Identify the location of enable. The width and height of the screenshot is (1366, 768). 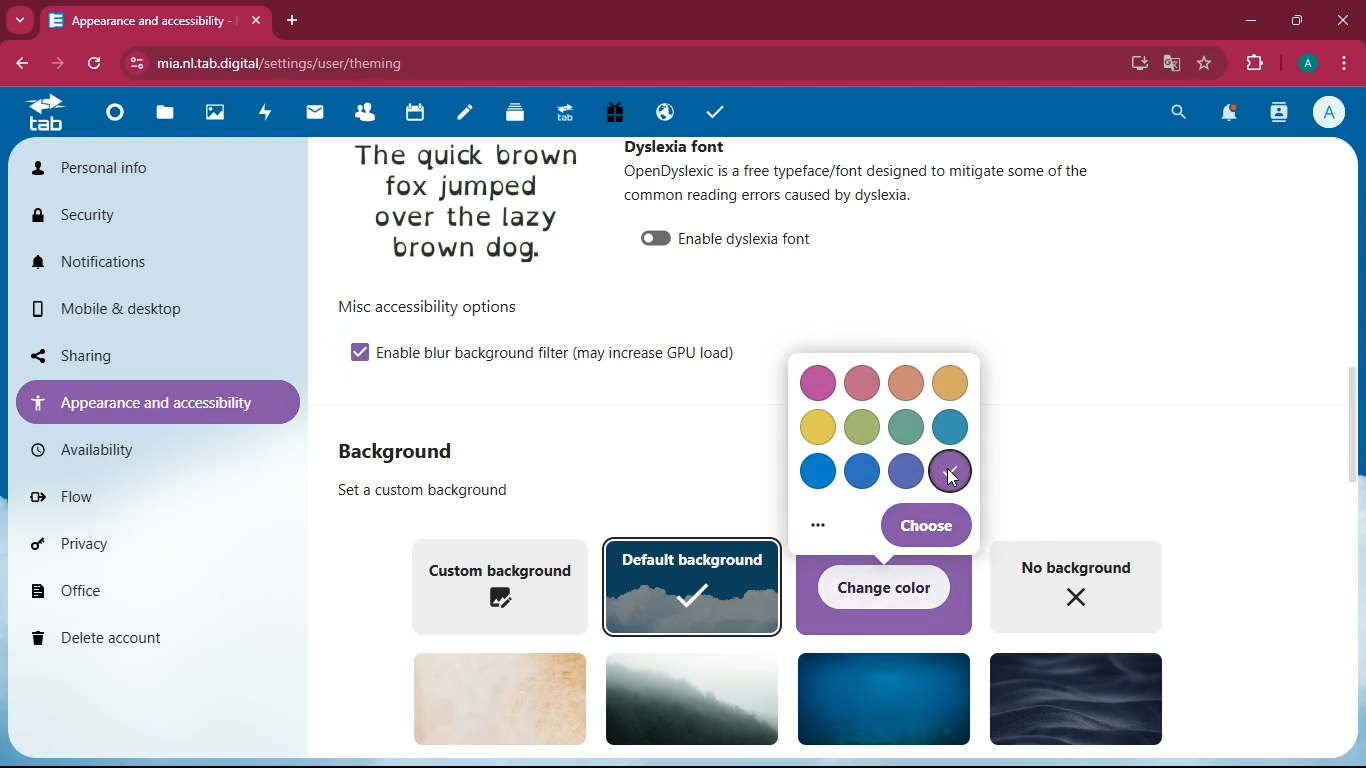
(359, 351).